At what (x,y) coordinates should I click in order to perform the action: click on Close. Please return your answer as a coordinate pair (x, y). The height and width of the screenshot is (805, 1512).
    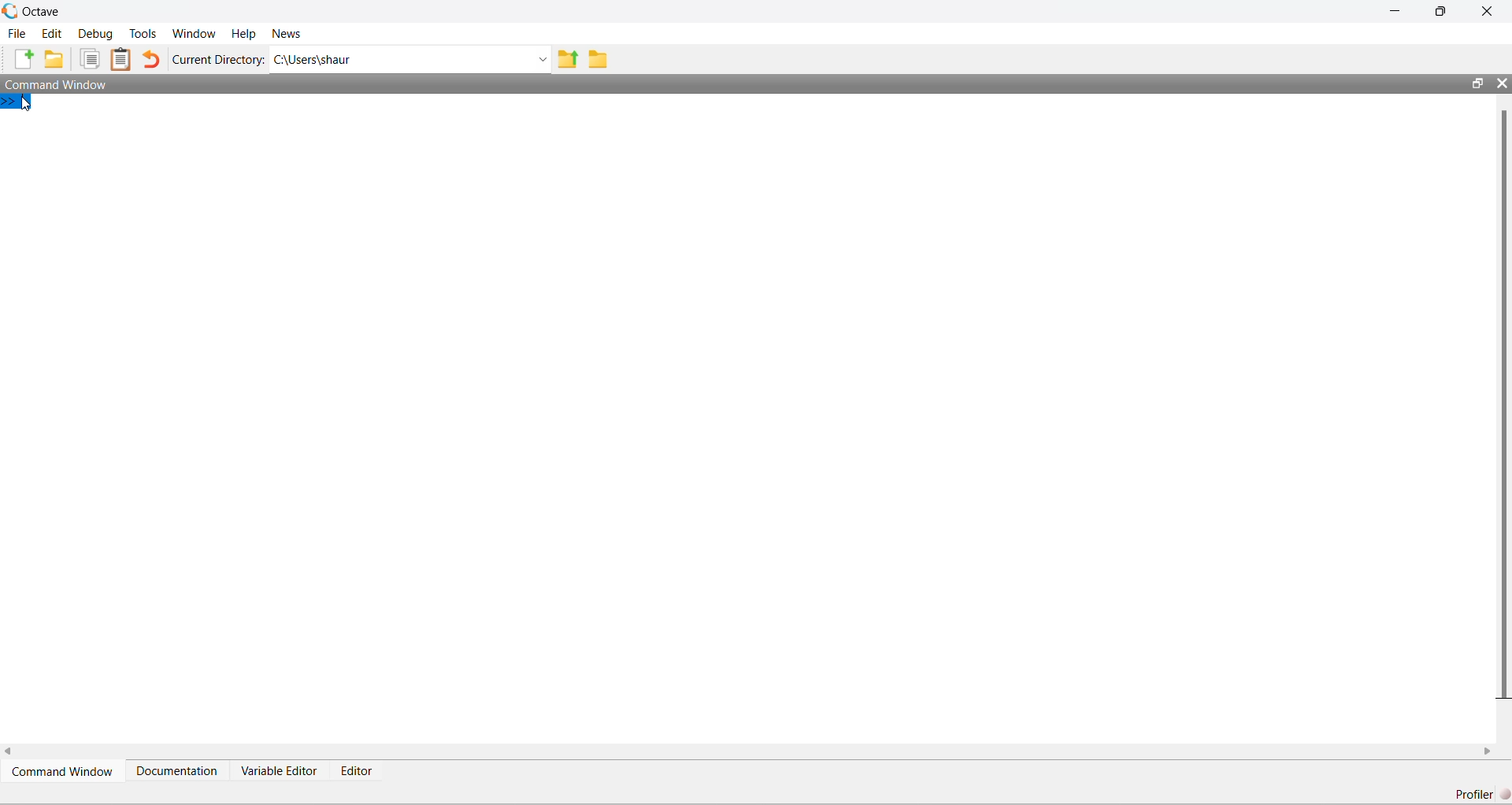
    Looking at the image, I should click on (1501, 83).